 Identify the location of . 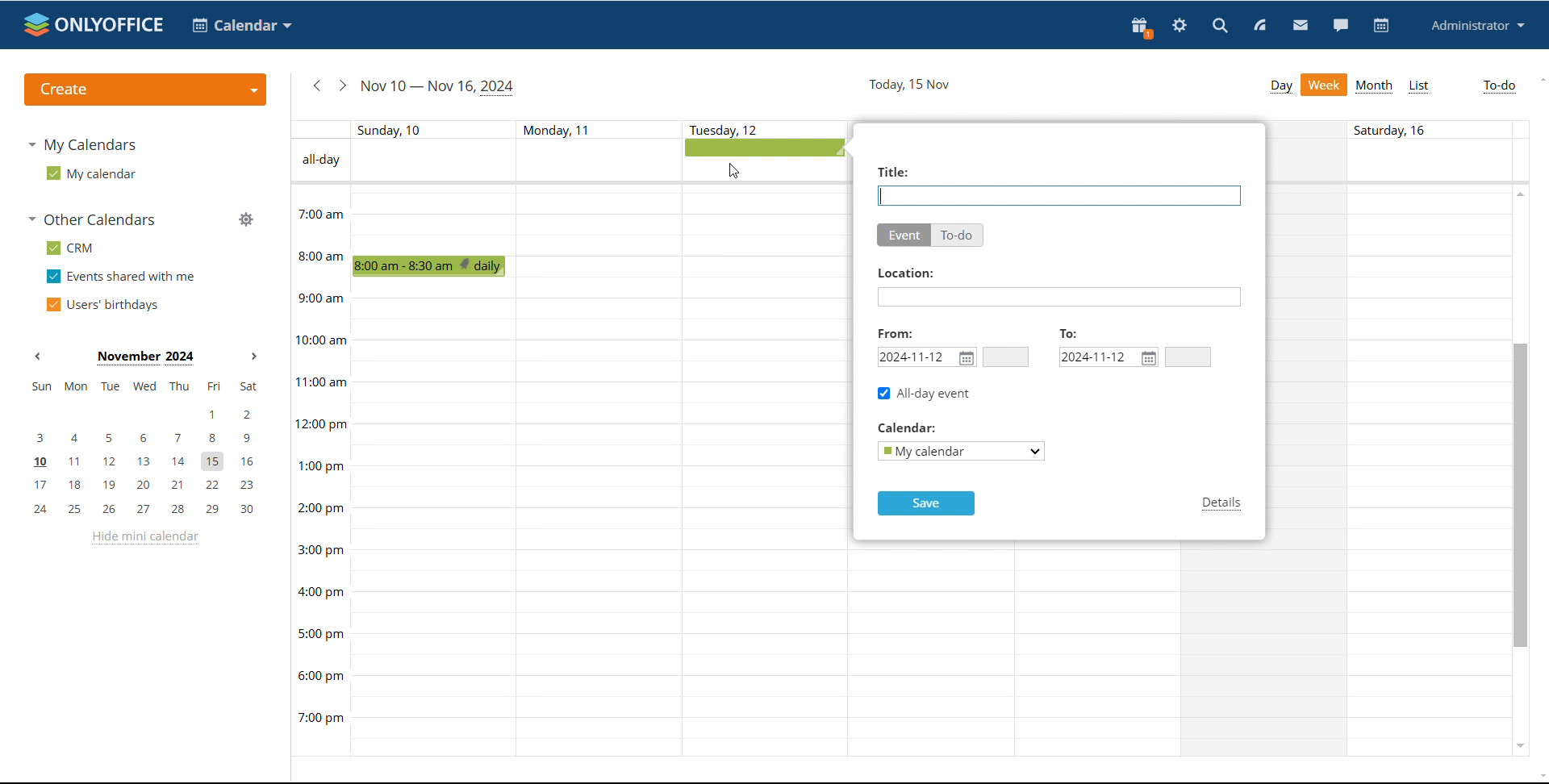
(905, 272).